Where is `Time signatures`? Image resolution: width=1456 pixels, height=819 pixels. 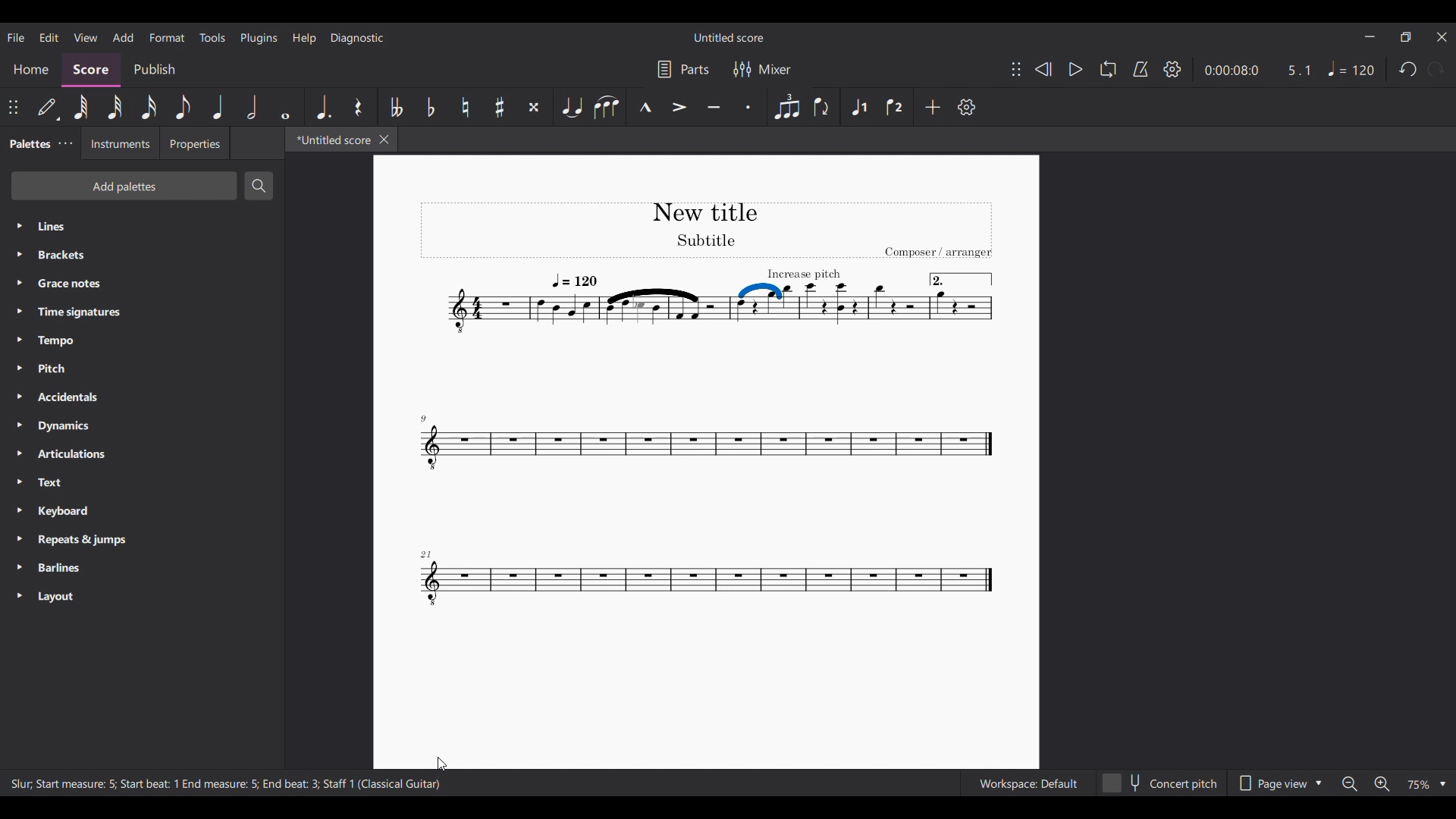 Time signatures is located at coordinates (142, 312).